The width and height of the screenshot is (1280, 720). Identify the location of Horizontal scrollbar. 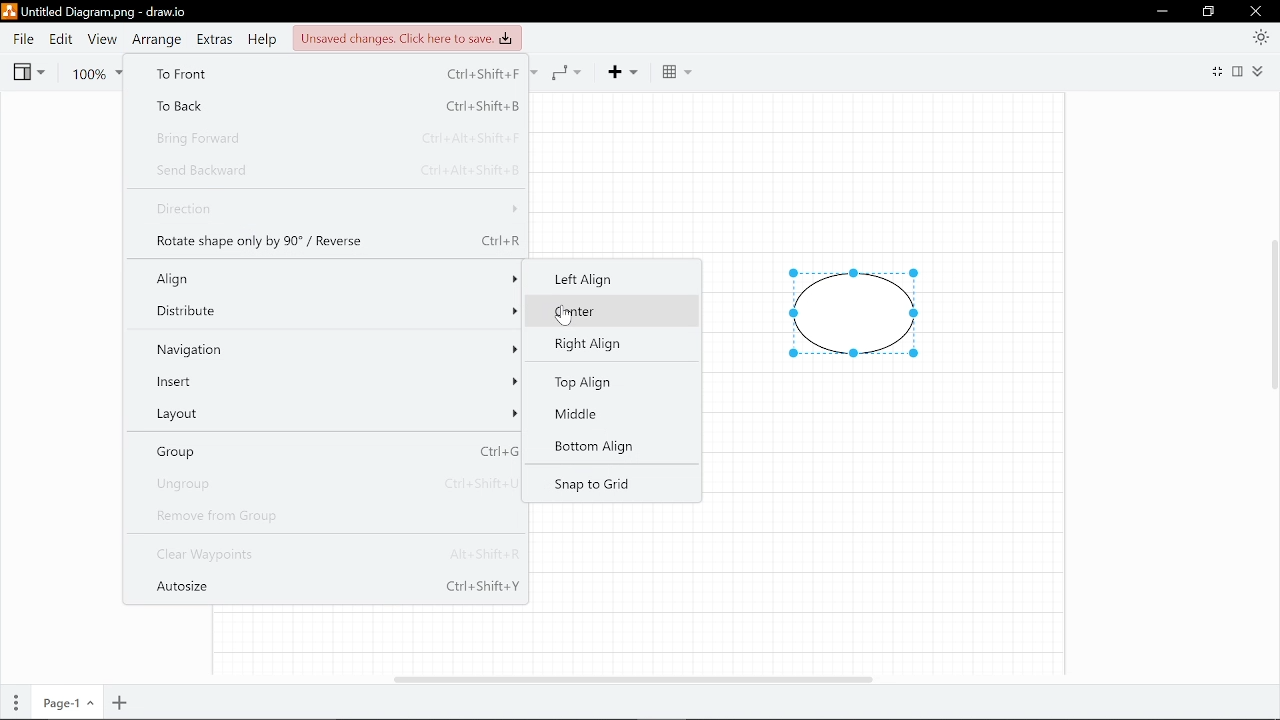
(634, 679).